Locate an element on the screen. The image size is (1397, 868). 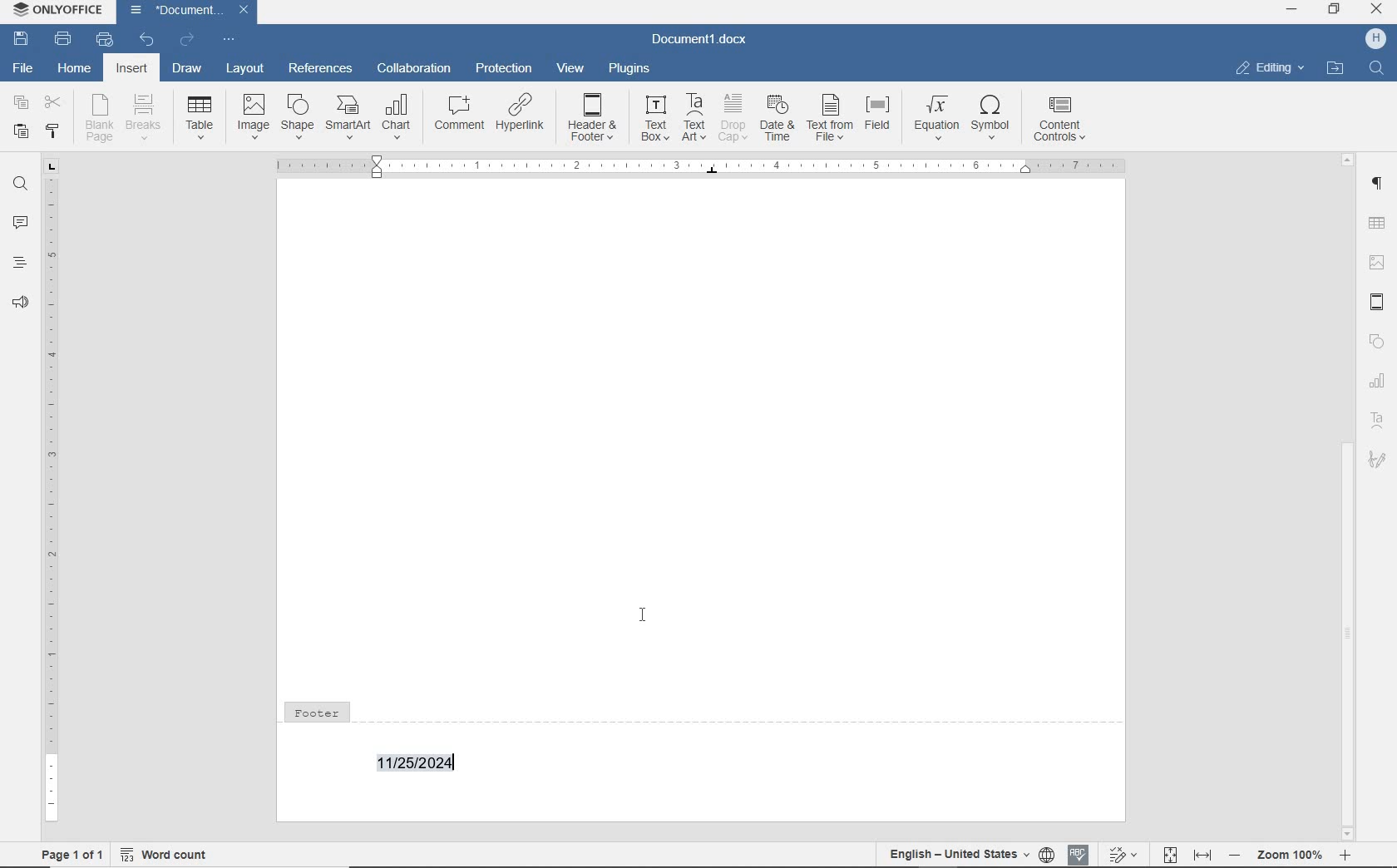
English - United States is located at coordinates (953, 851).